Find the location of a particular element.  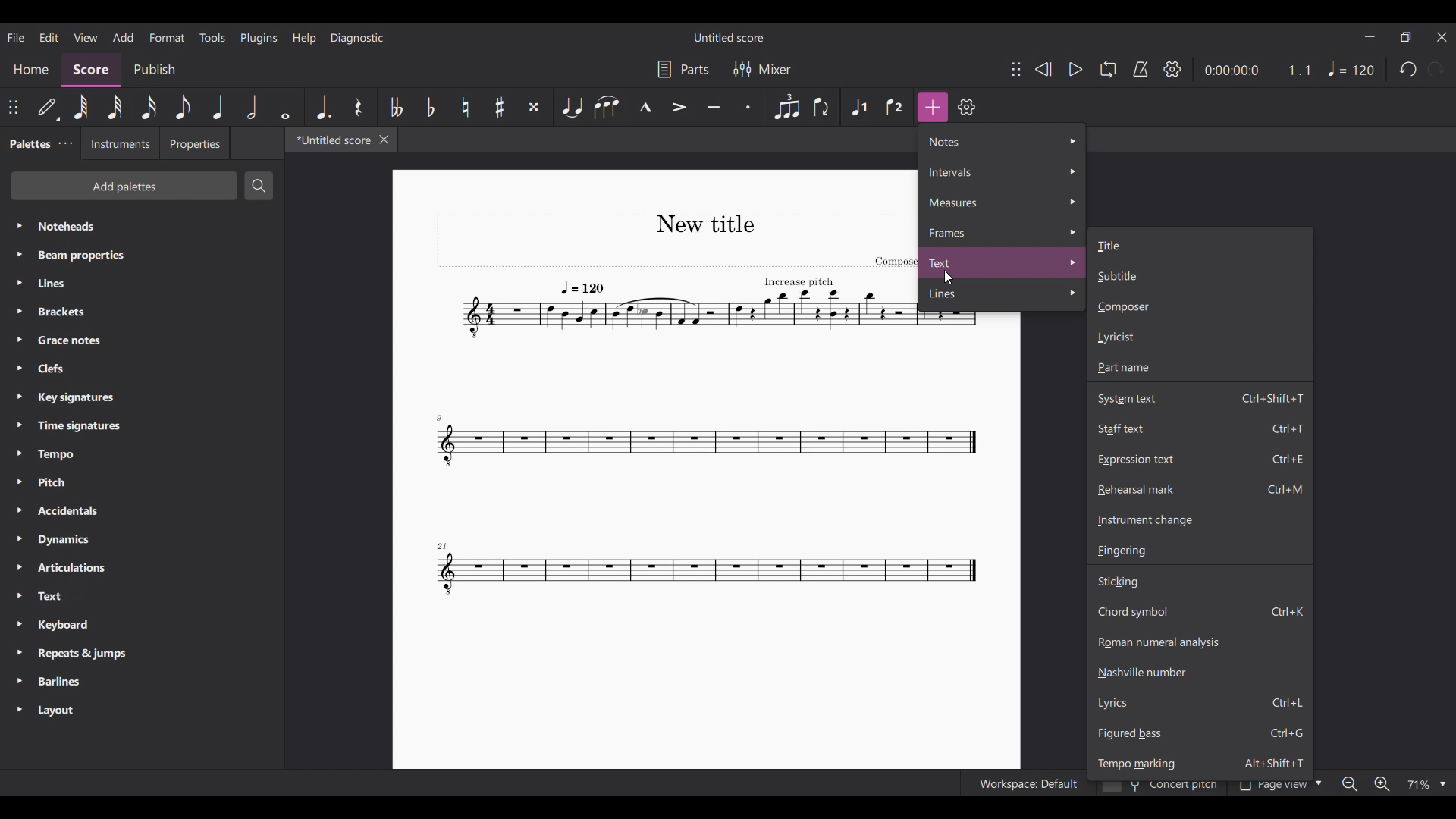

Untitled score is located at coordinates (730, 38).